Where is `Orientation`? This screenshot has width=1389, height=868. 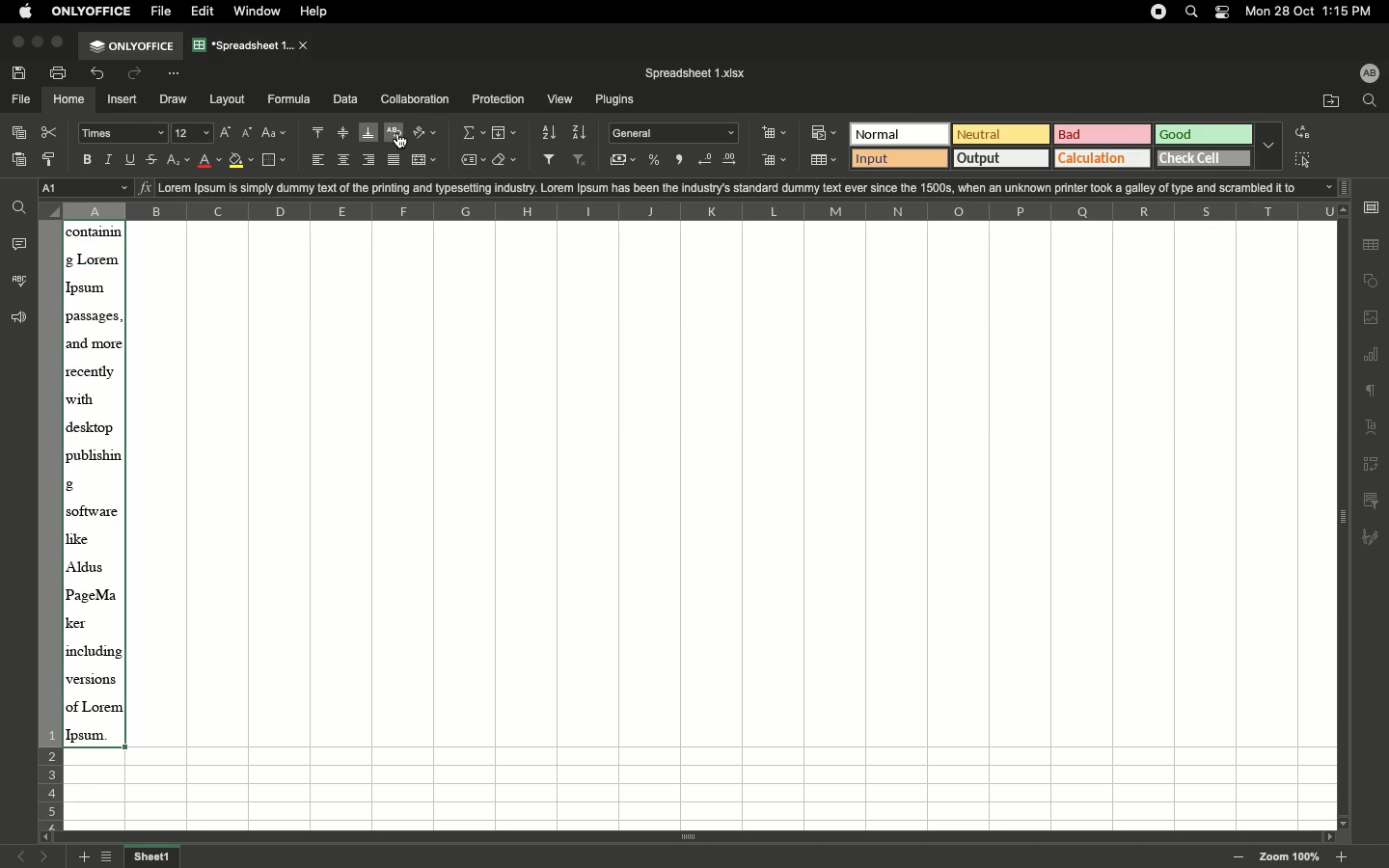
Orientation is located at coordinates (427, 134).